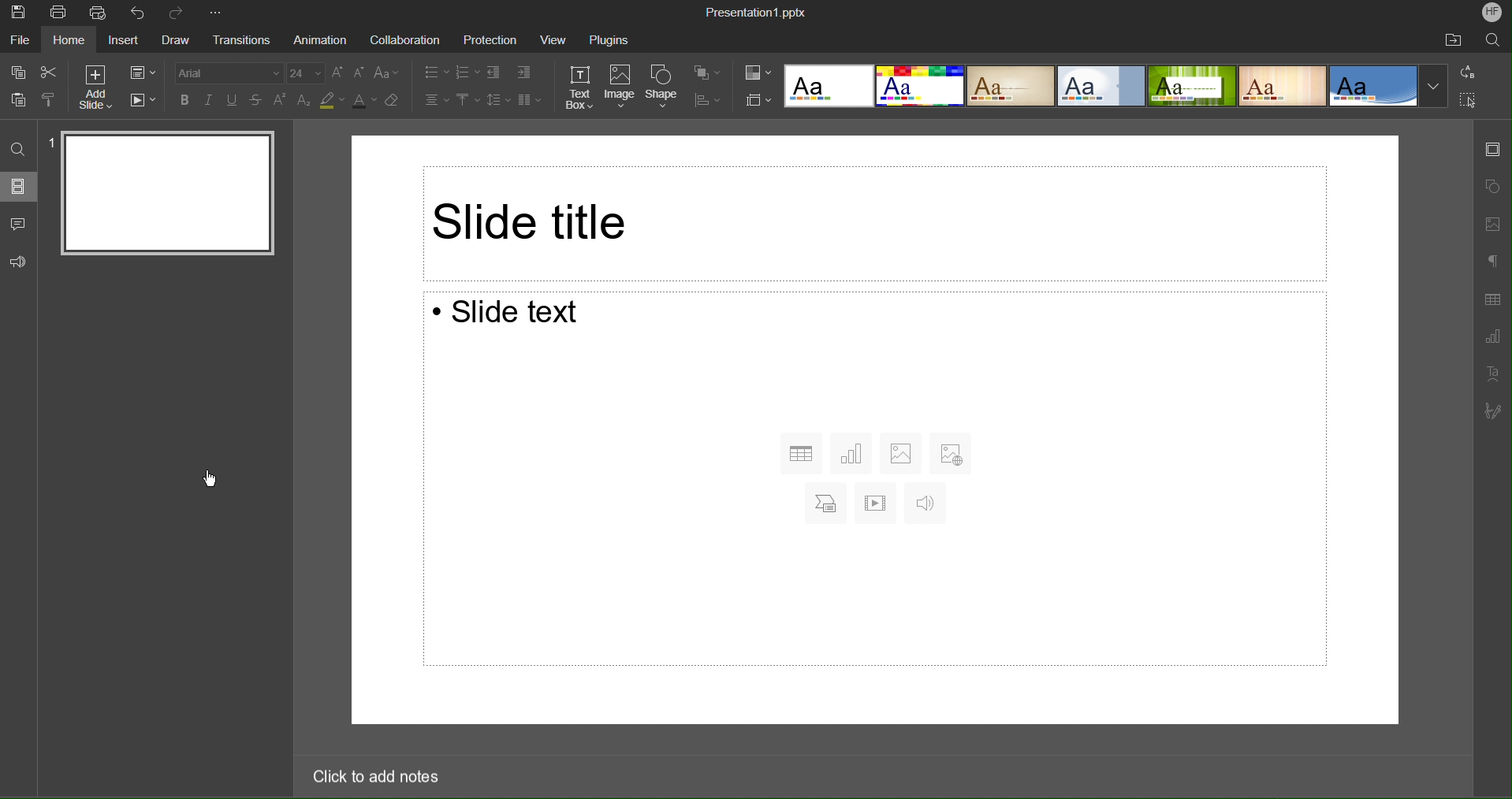  What do you see at coordinates (20, 186) in the screenshot?
I see `Slides` at bounding box center [20, 186].